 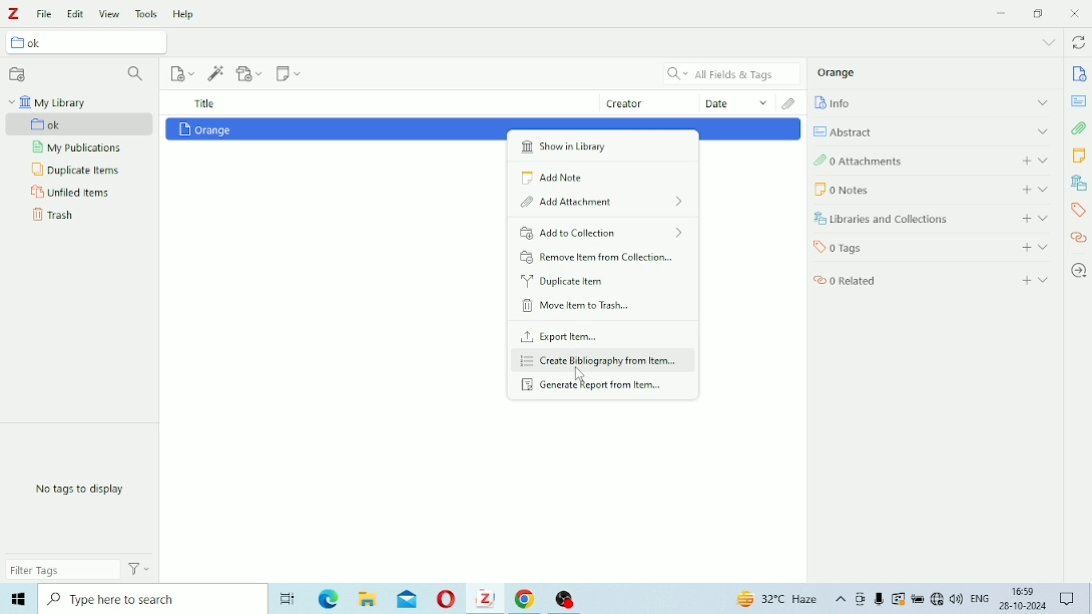 I want to click on Create Bibliography from Item, so click(x=603, y=361).